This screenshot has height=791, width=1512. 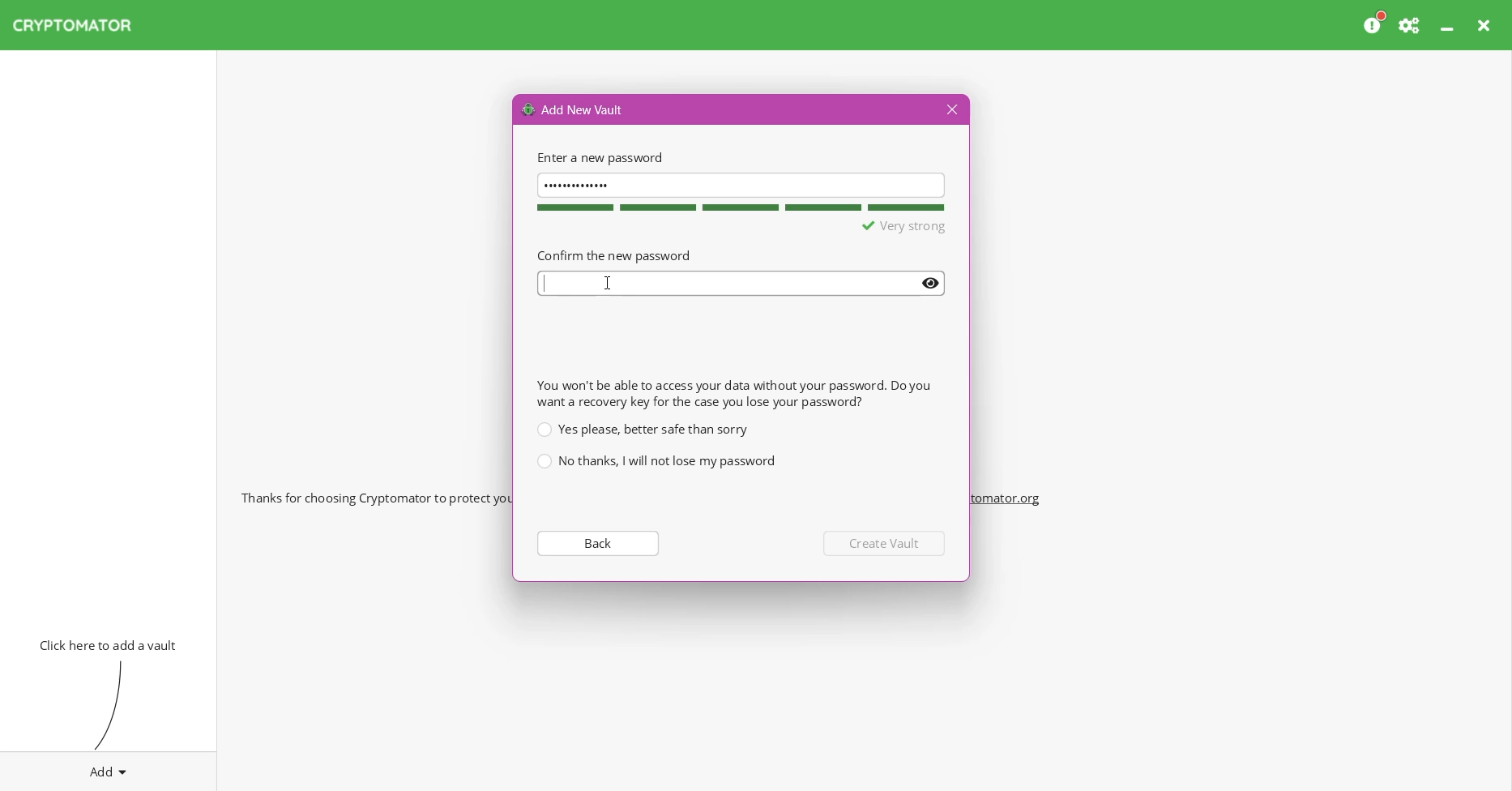 I want to click on Please consider donating, so click(x=1375, y=24).